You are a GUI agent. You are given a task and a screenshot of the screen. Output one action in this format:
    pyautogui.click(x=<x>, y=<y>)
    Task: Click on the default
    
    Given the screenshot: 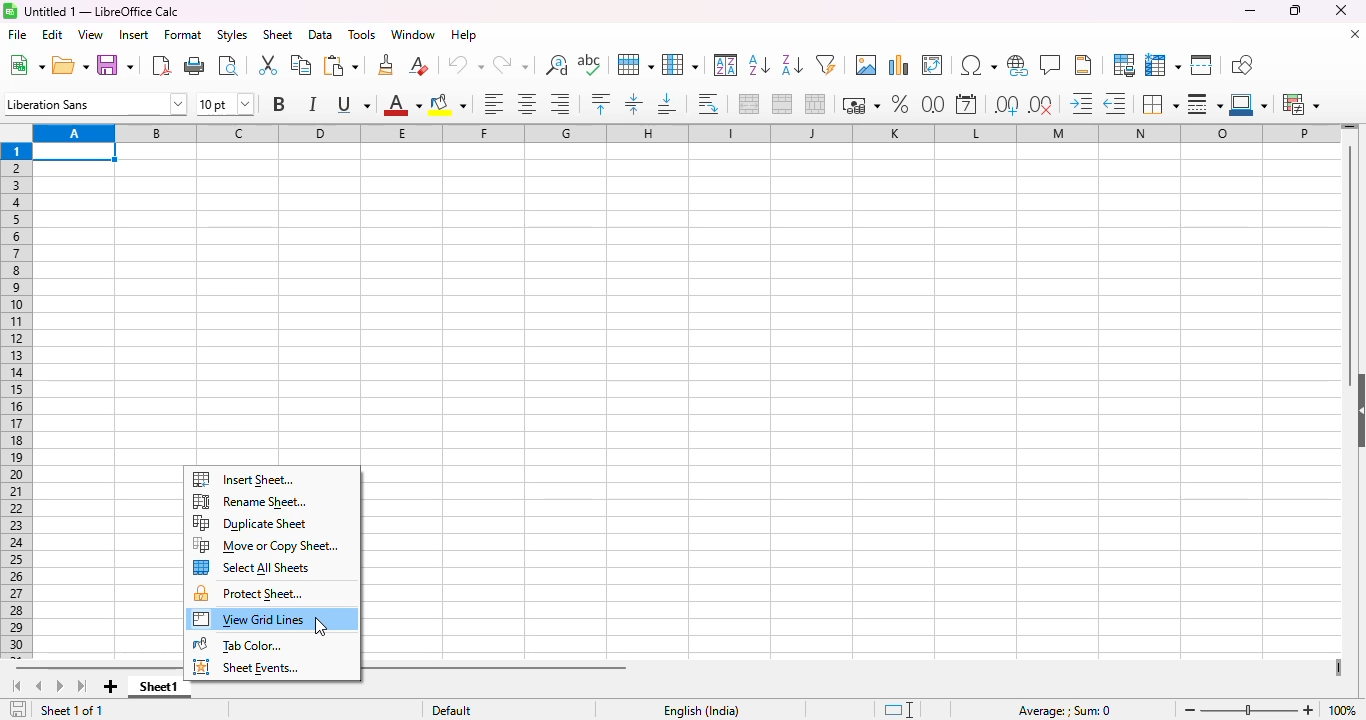 What is the action you would take?
    pyautogui.click(x=451, y=710)
    